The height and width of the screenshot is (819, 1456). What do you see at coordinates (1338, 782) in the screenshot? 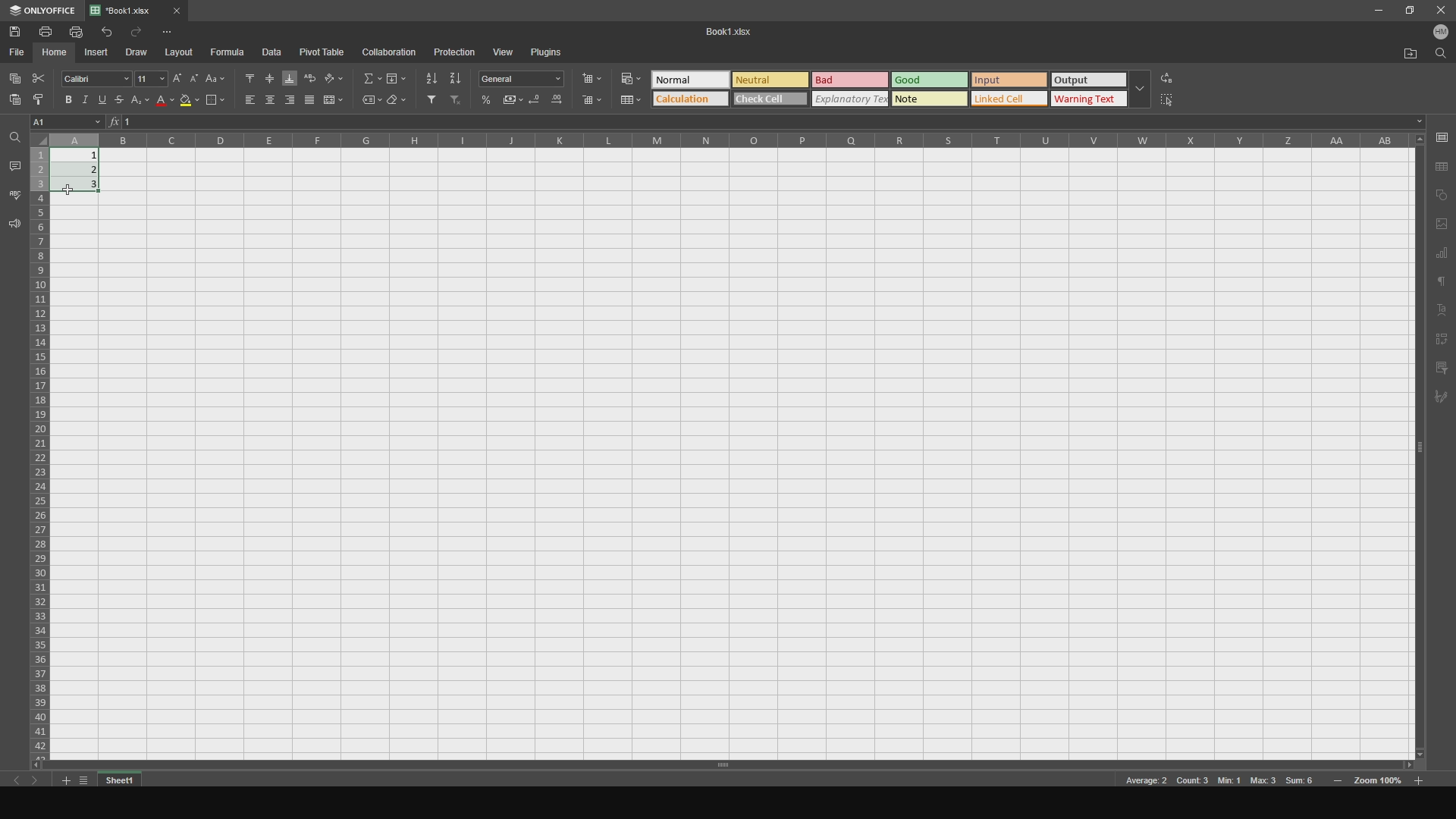
I see `zoom in` at bounding box center [1338, 782].